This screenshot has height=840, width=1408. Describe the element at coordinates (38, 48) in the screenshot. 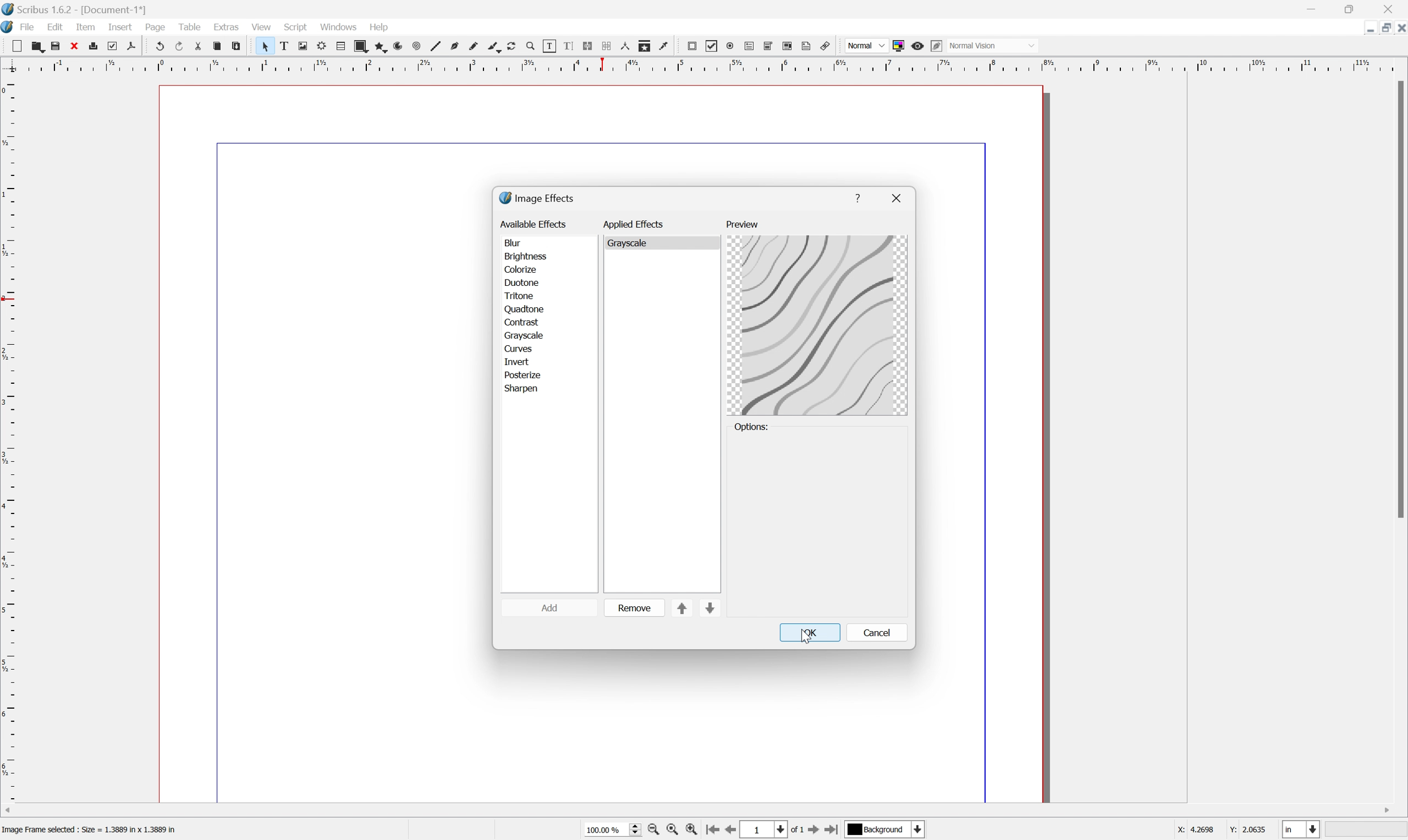

I see `New` at that location.